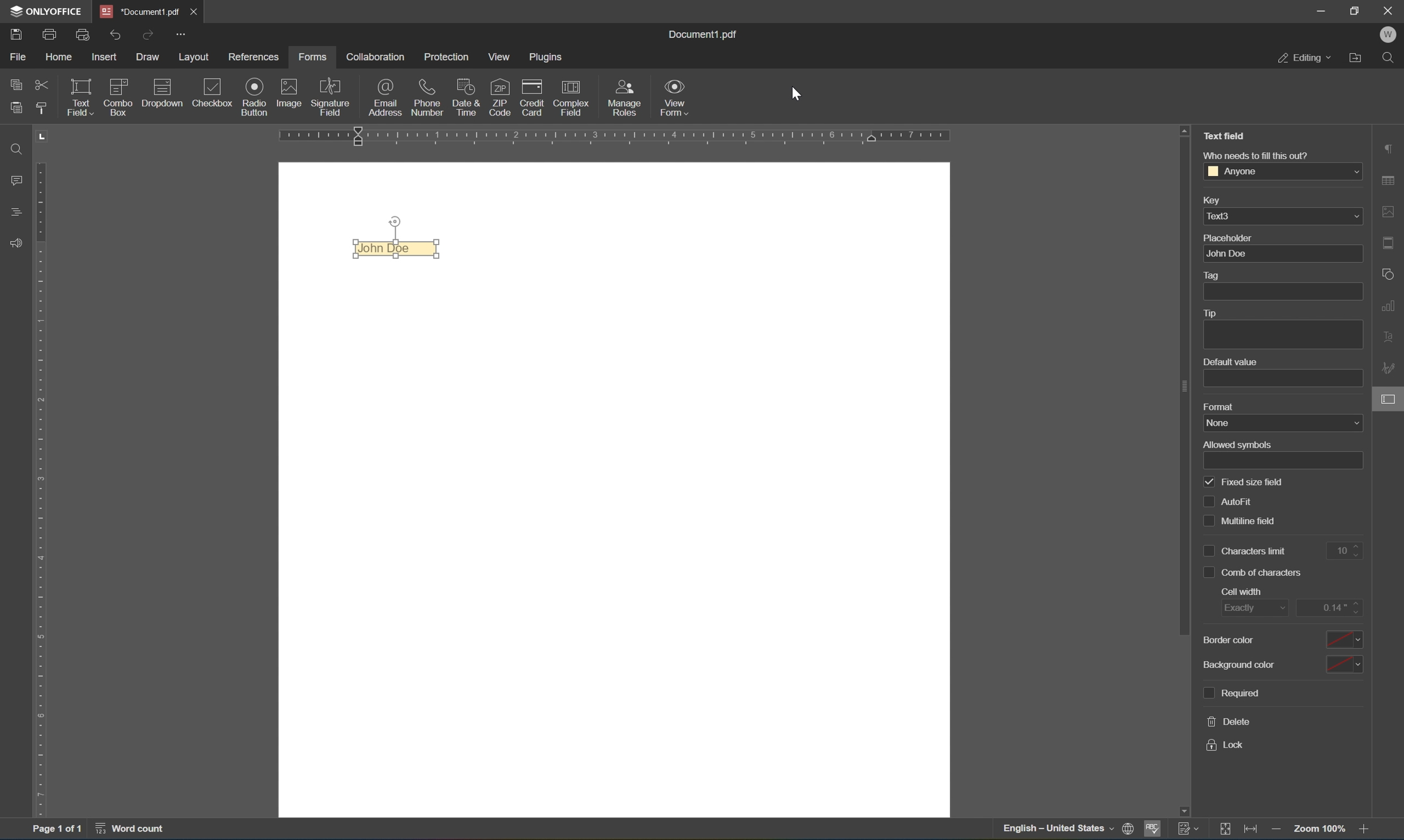 The image size is (1404, 840). I want to click on John Doe, so click(1230, 252).